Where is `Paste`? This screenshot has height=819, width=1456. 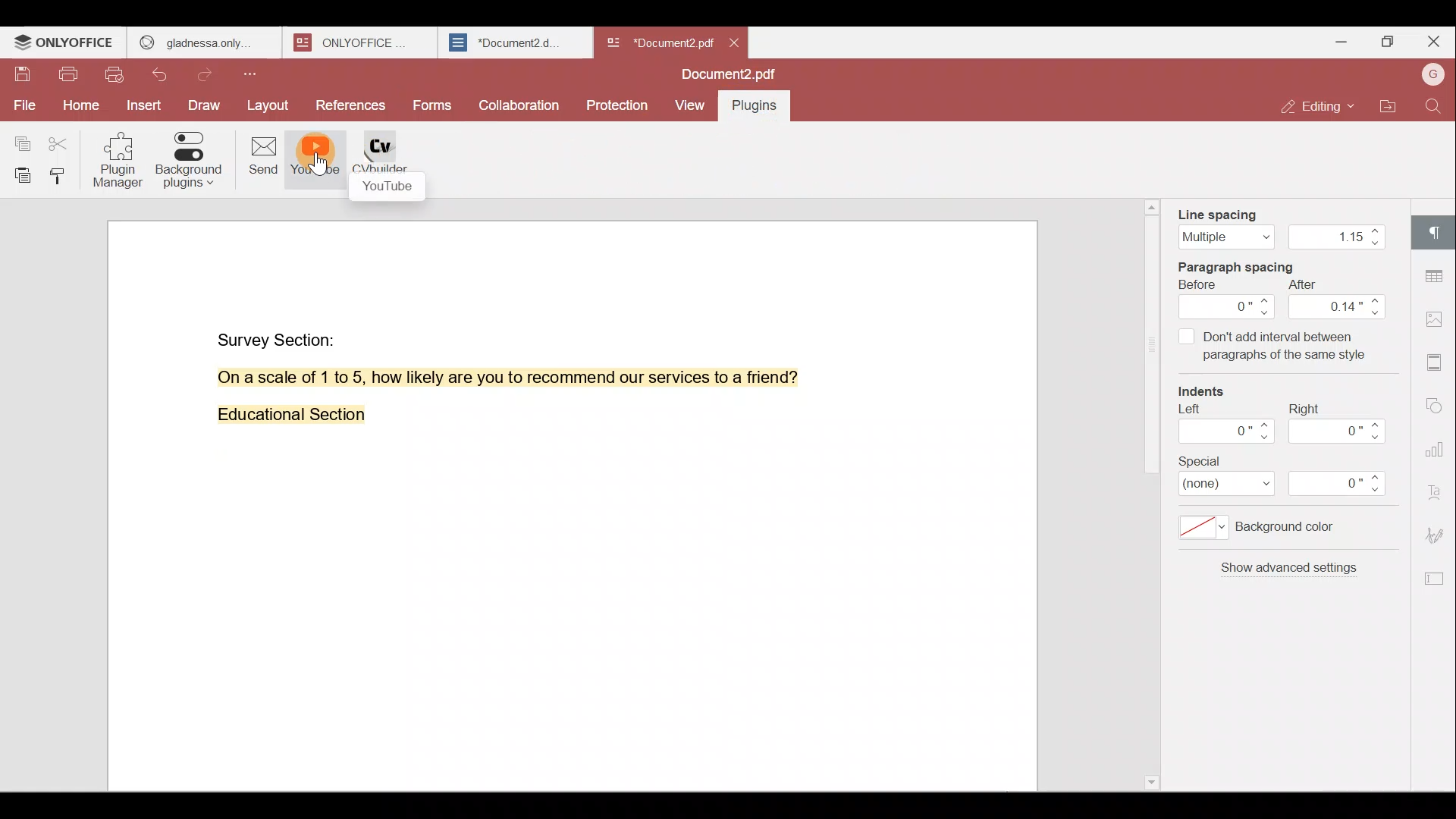
Paste is located at coordinates (18, 175).